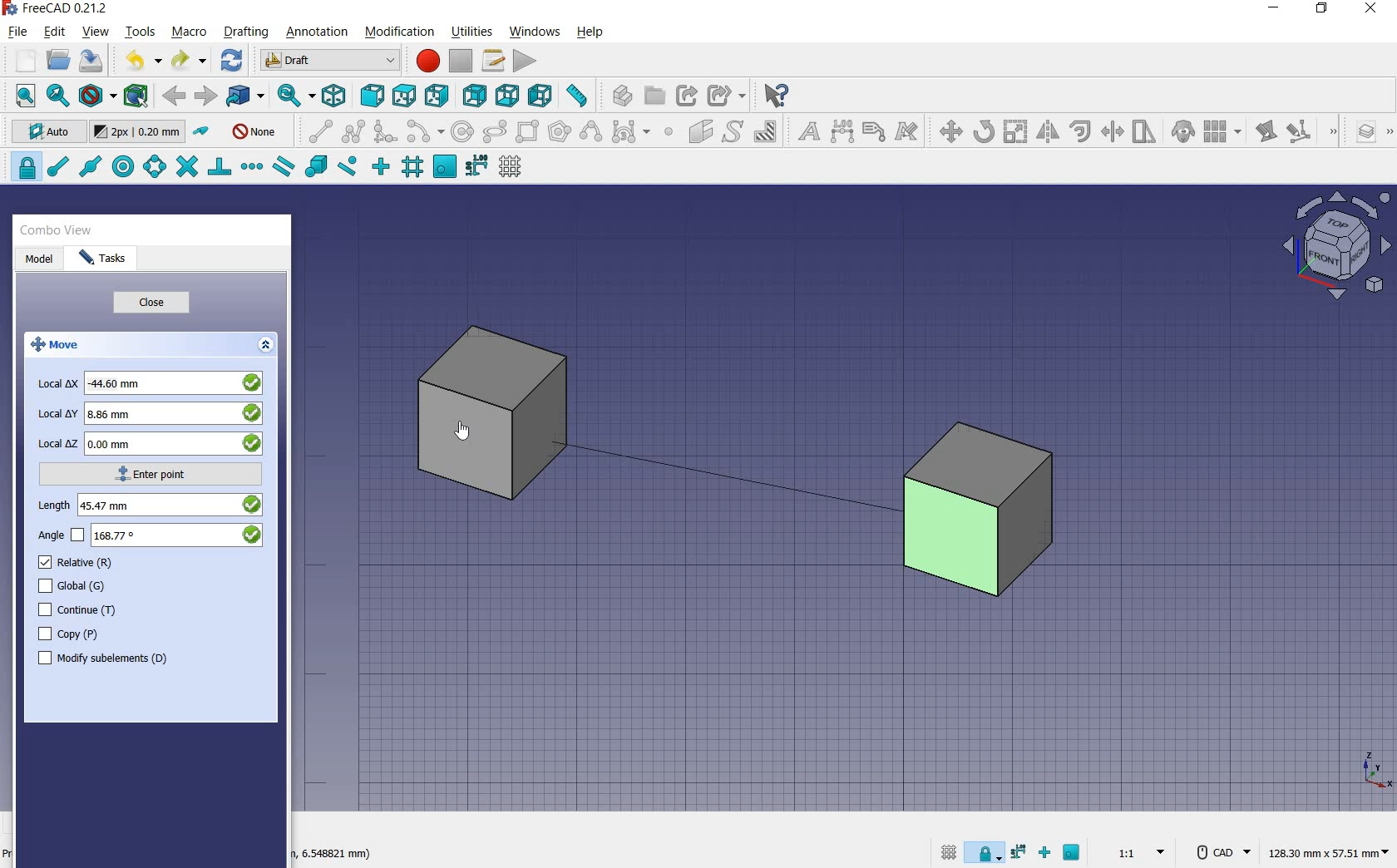  What do you see at coordinates (1335, 133) in the screenshot?
I see `draft modification tools` at bounding box center [1335, 133].